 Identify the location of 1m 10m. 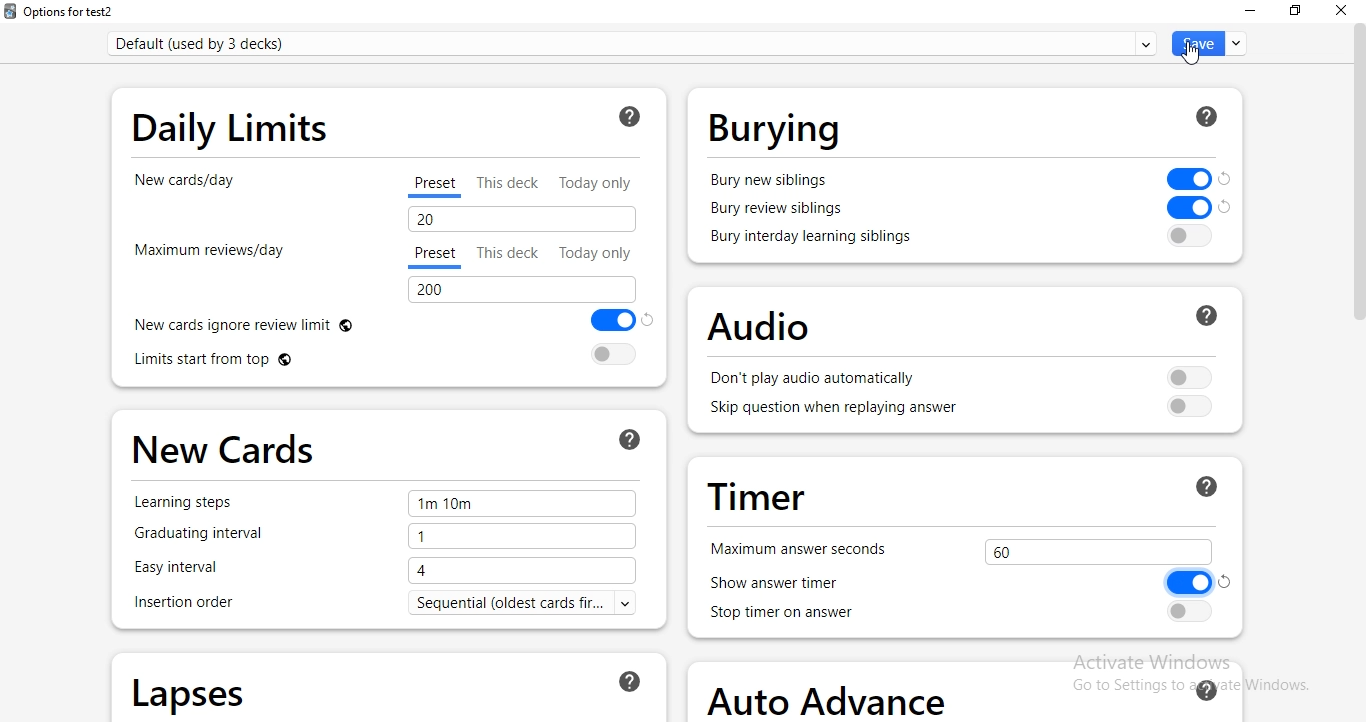
(524, 506).